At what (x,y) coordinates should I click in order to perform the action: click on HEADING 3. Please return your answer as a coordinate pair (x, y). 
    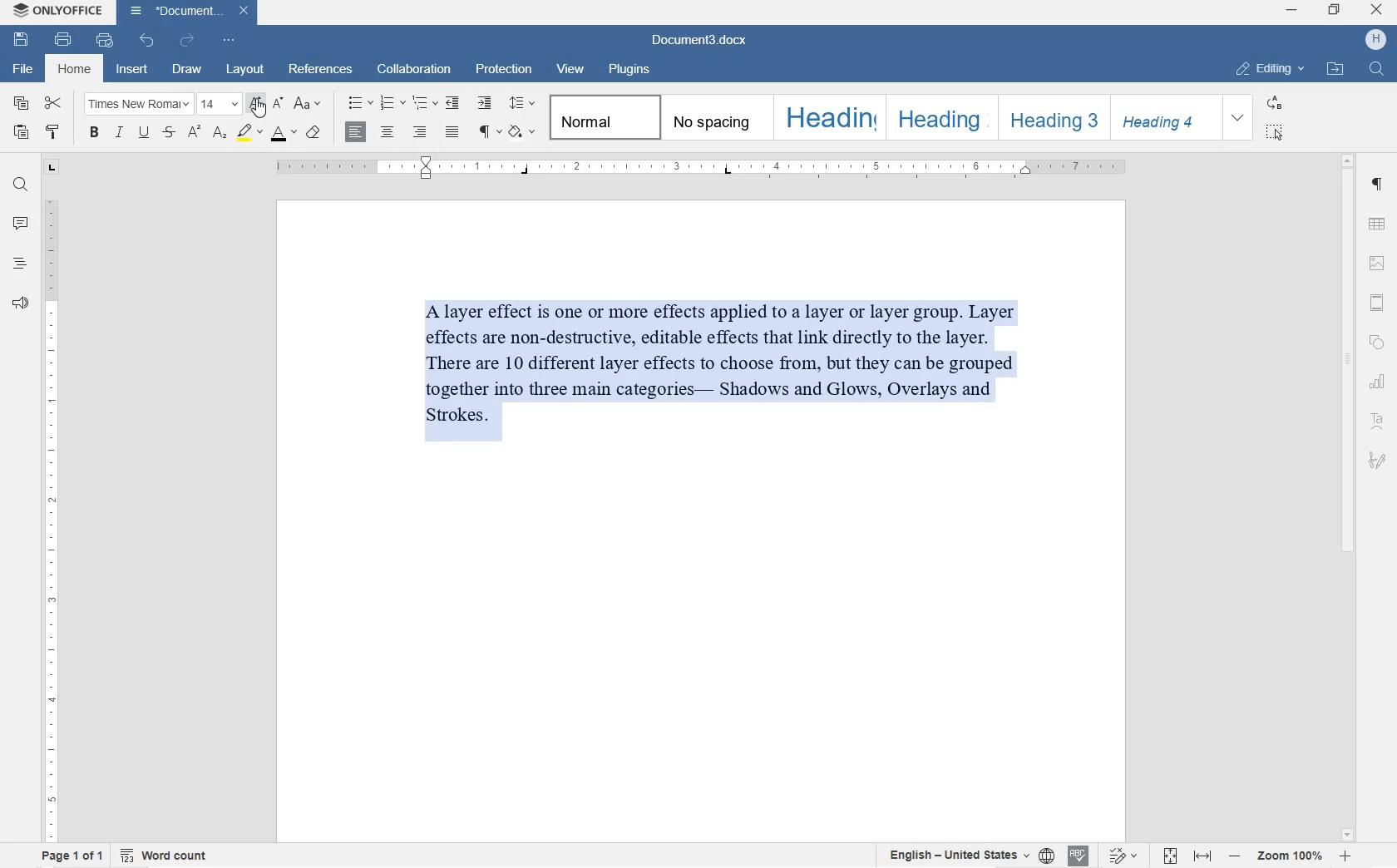
    Looking at the image, I should click on (1049, 116).